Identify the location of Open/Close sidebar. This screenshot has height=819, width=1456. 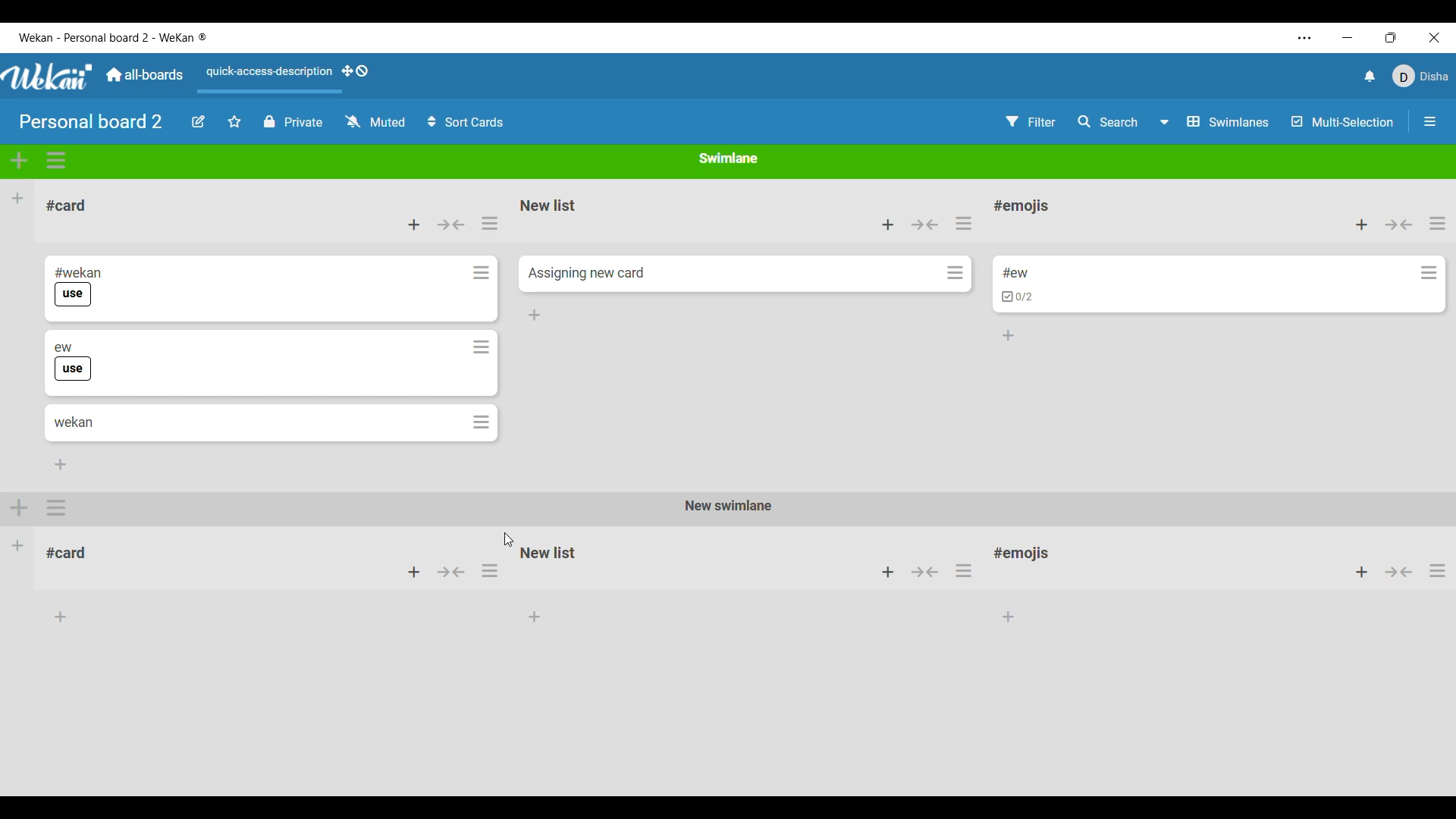
(1430, 121).